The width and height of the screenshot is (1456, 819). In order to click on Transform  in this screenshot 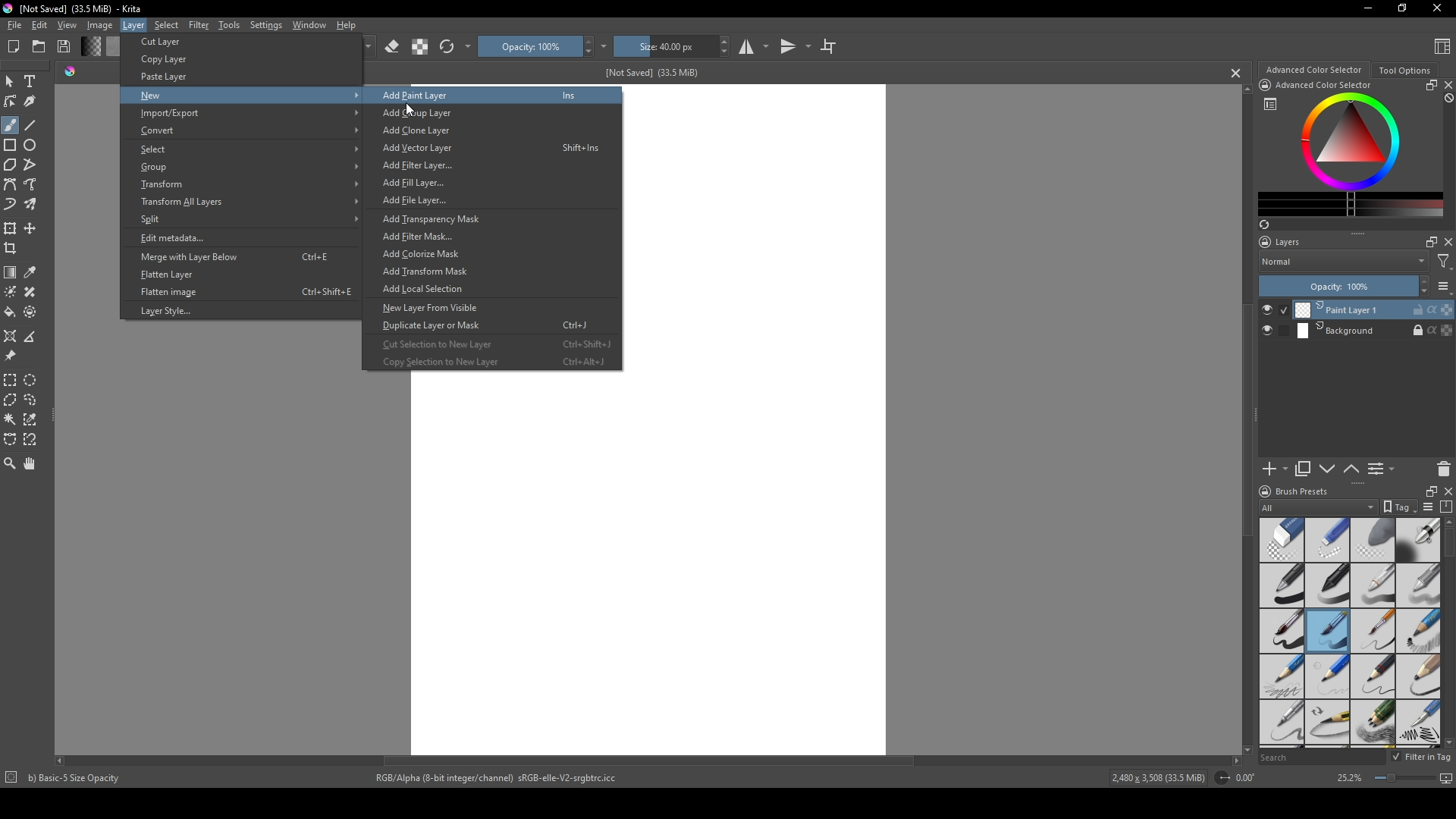, I will do `click(249, 186)`.